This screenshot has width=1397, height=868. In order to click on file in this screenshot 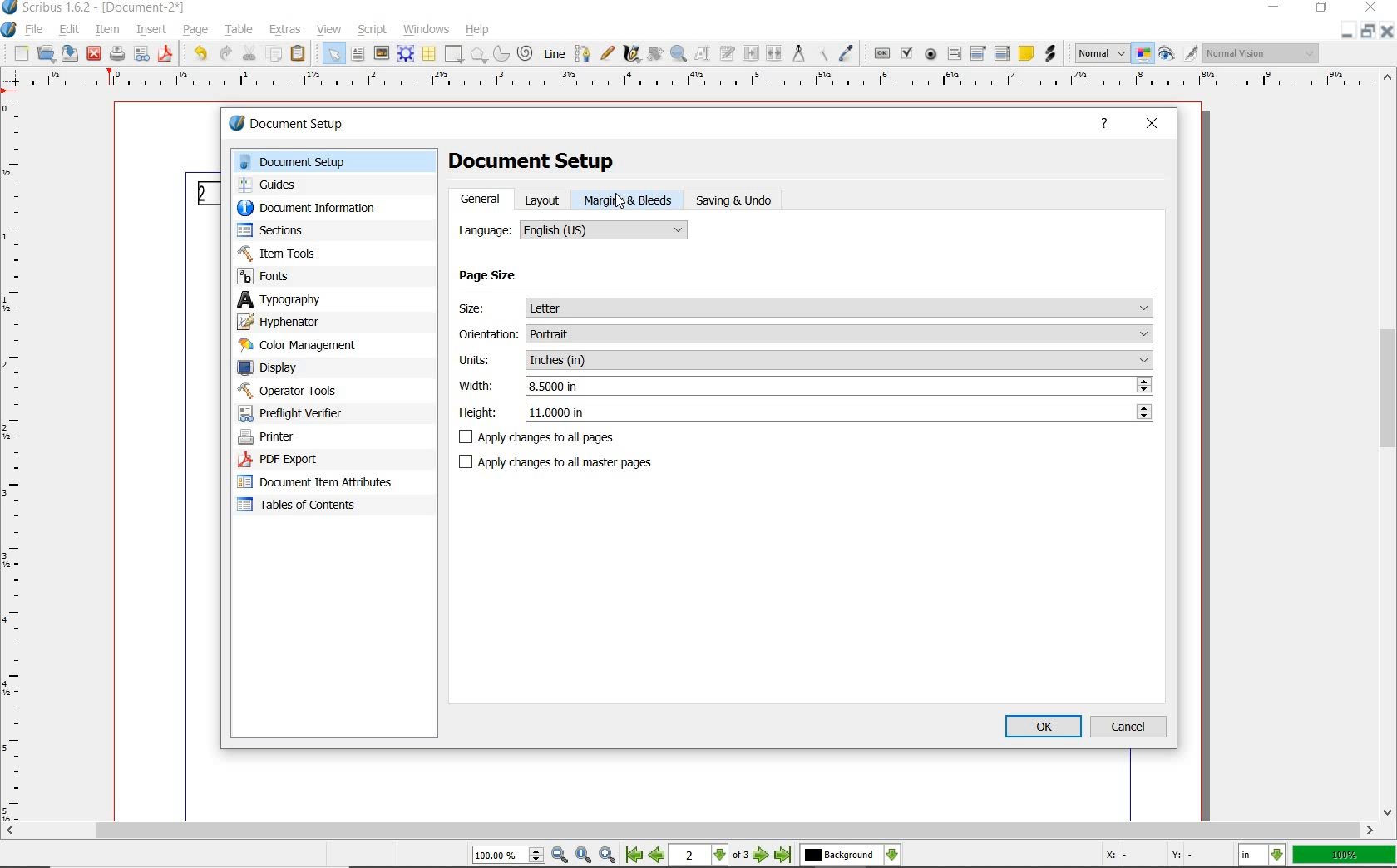, I will do `click(36, 31)`.